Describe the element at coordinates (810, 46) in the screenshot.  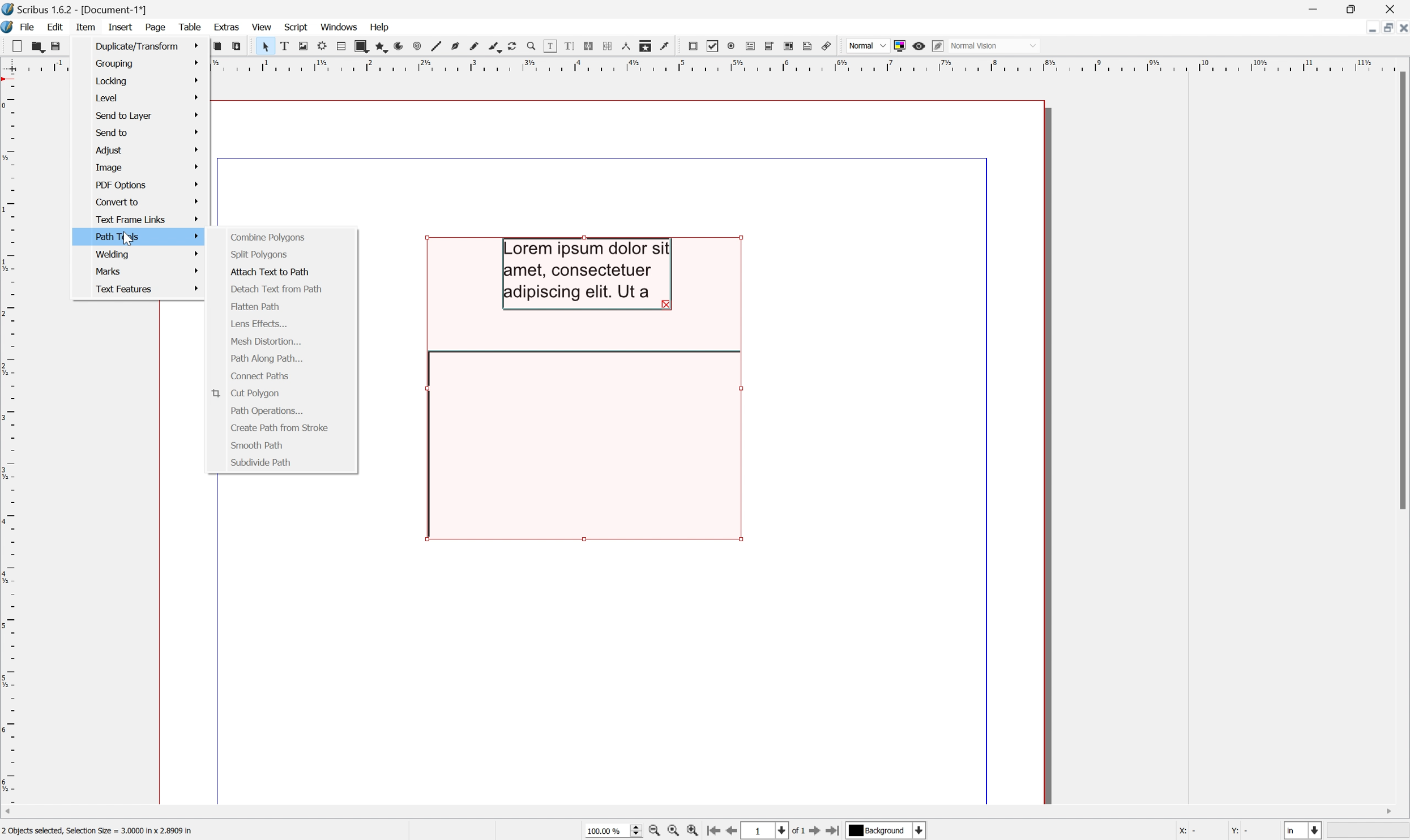
I see `Text annotation` at that location.